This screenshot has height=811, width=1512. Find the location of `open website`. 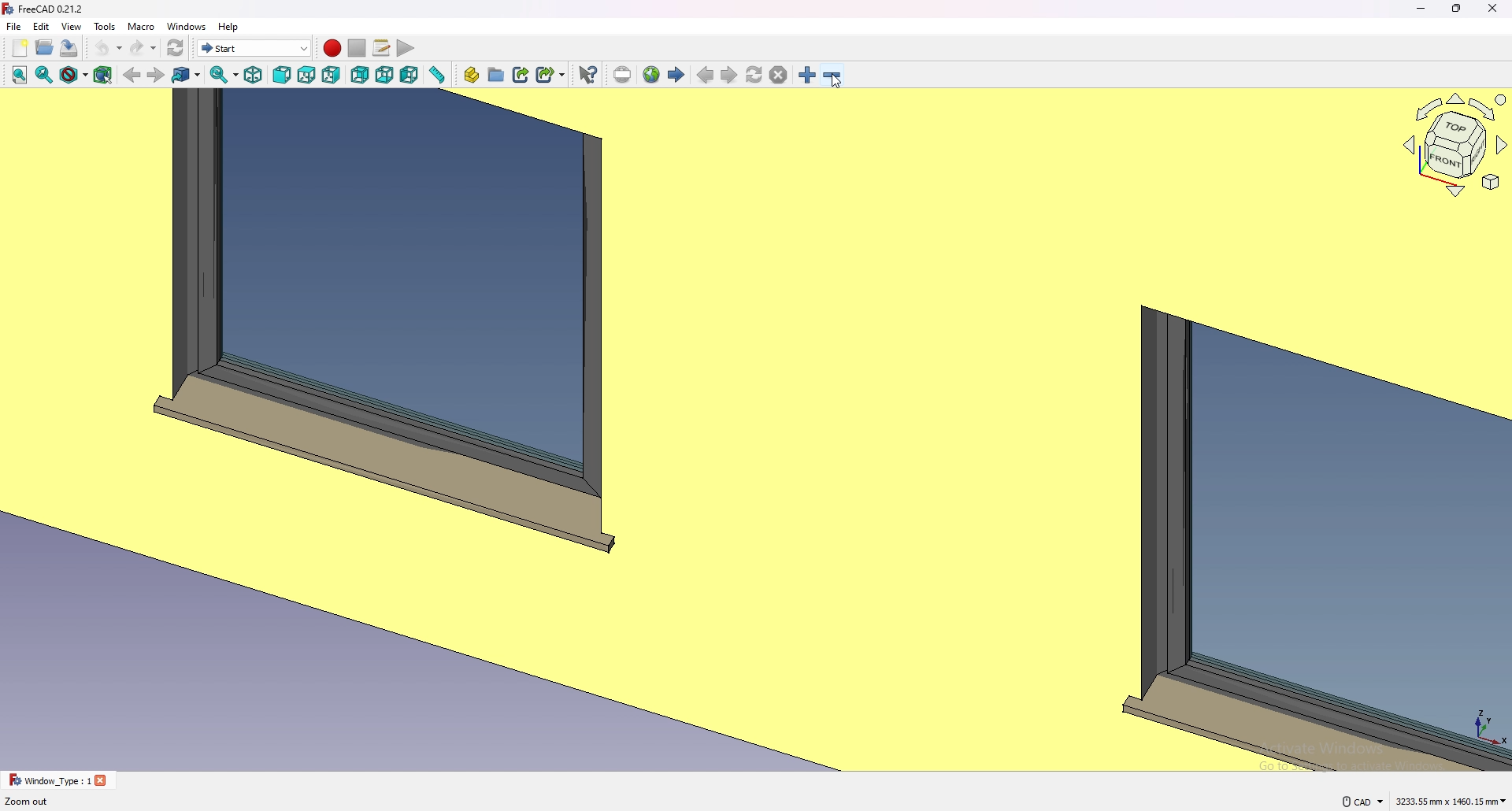

open website is located at coordinates (651, 75).